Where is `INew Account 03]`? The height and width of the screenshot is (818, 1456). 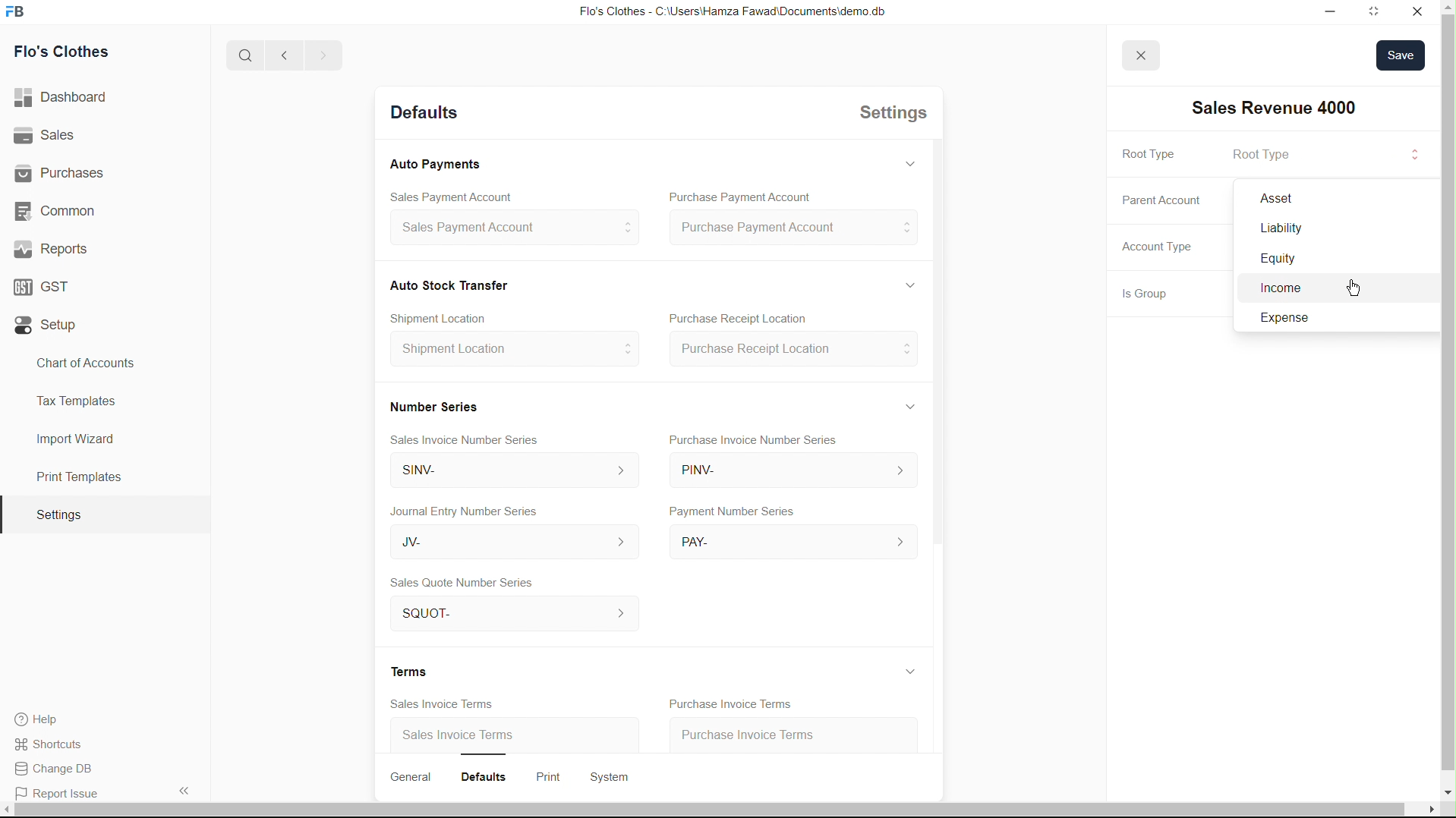
INew Account 03] is located at coordinates (1291, 108).